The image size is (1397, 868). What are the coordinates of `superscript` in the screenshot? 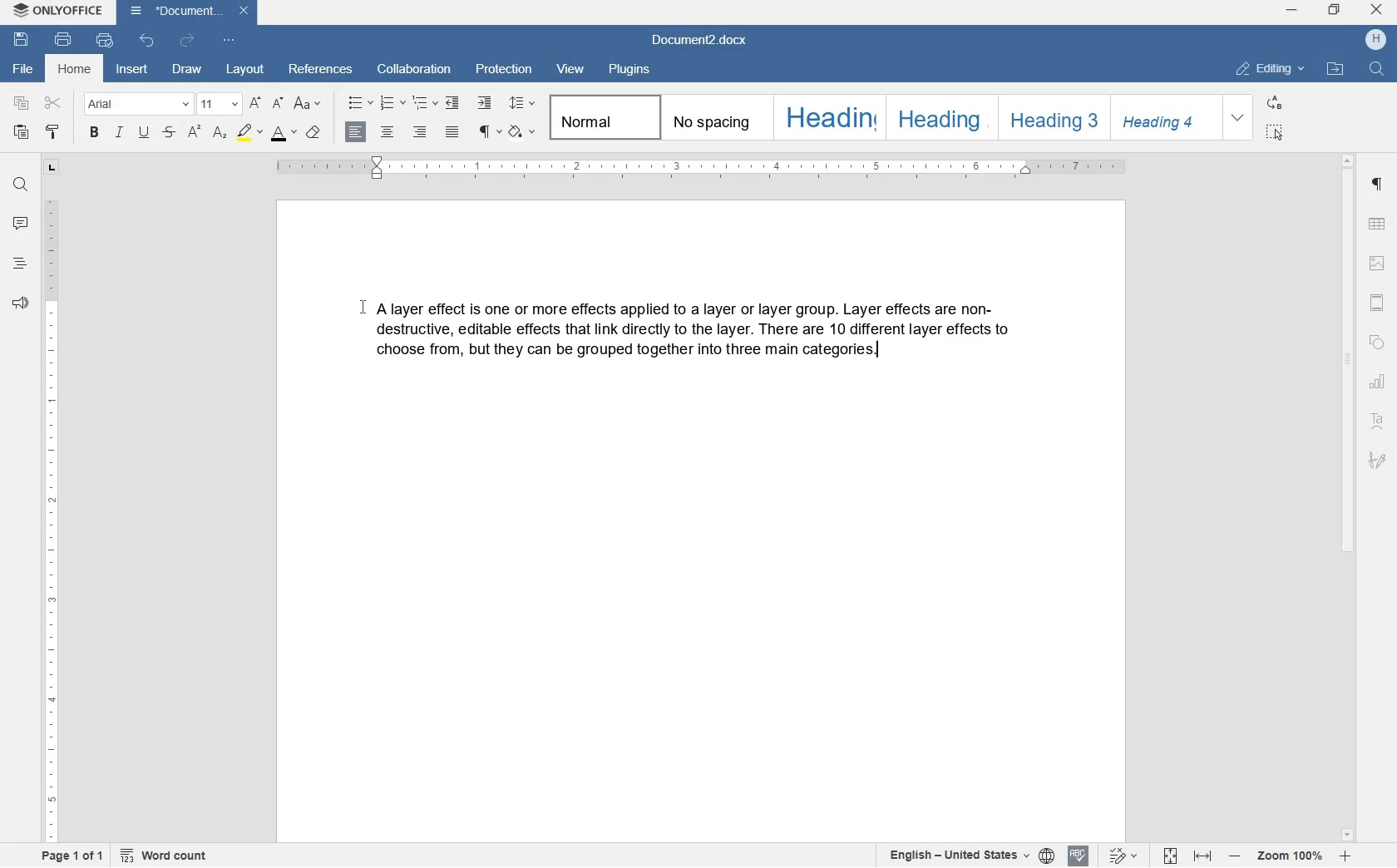 It's located at (194, 133).